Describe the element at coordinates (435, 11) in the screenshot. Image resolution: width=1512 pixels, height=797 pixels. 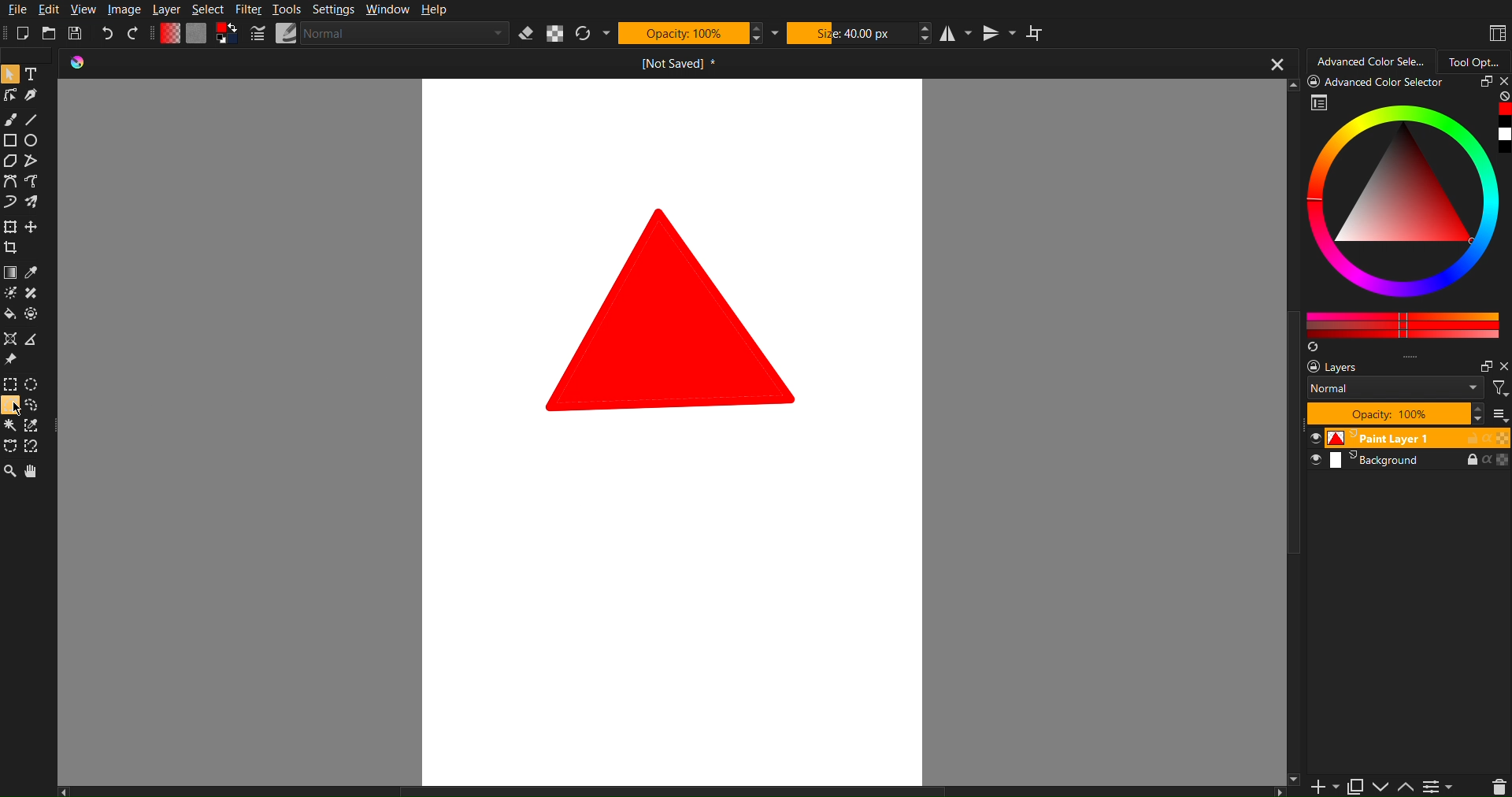
I see `Help` at that location.